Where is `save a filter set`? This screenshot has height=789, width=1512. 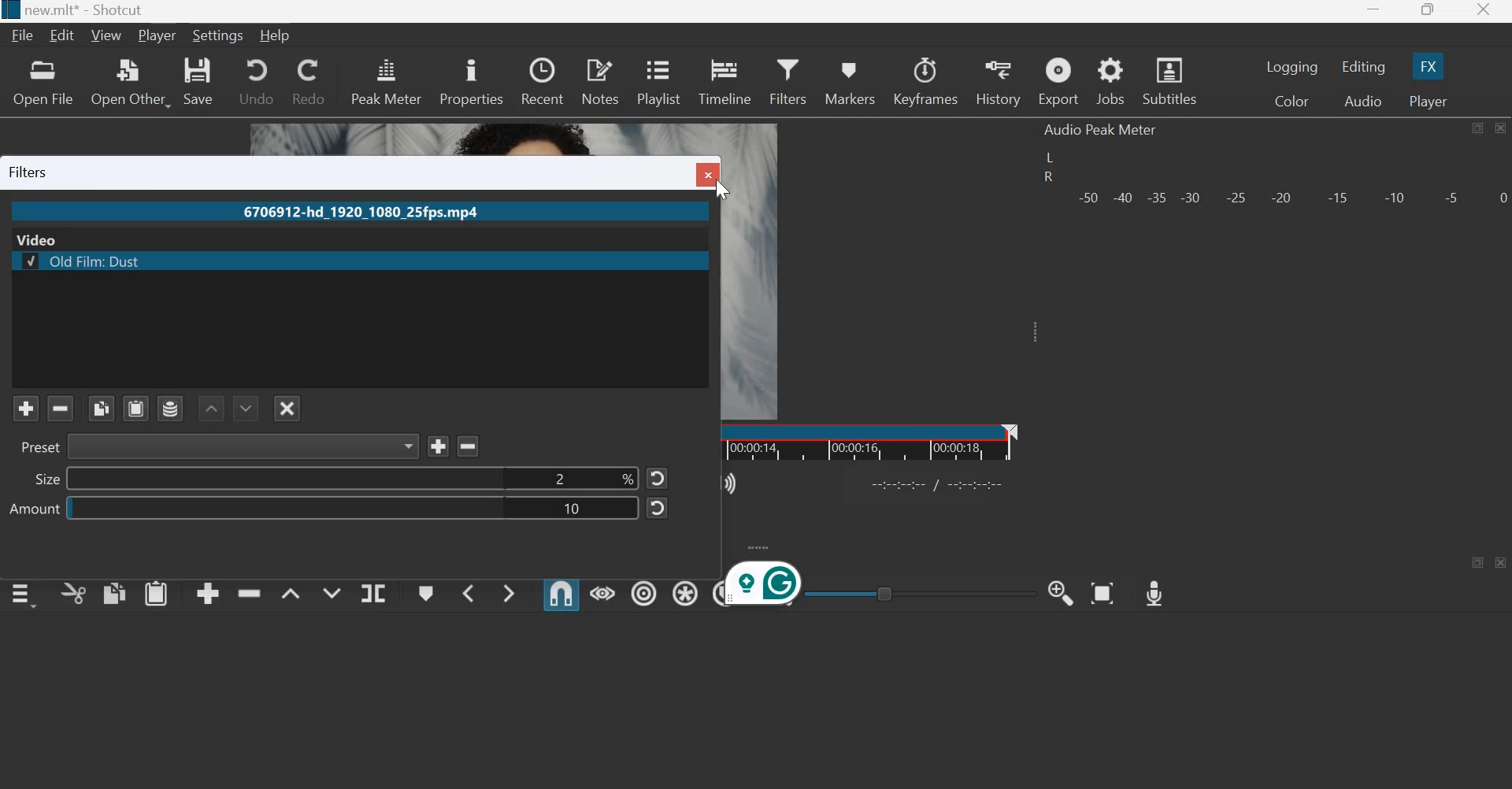 save a filter set is located at coordinates (169, 408).